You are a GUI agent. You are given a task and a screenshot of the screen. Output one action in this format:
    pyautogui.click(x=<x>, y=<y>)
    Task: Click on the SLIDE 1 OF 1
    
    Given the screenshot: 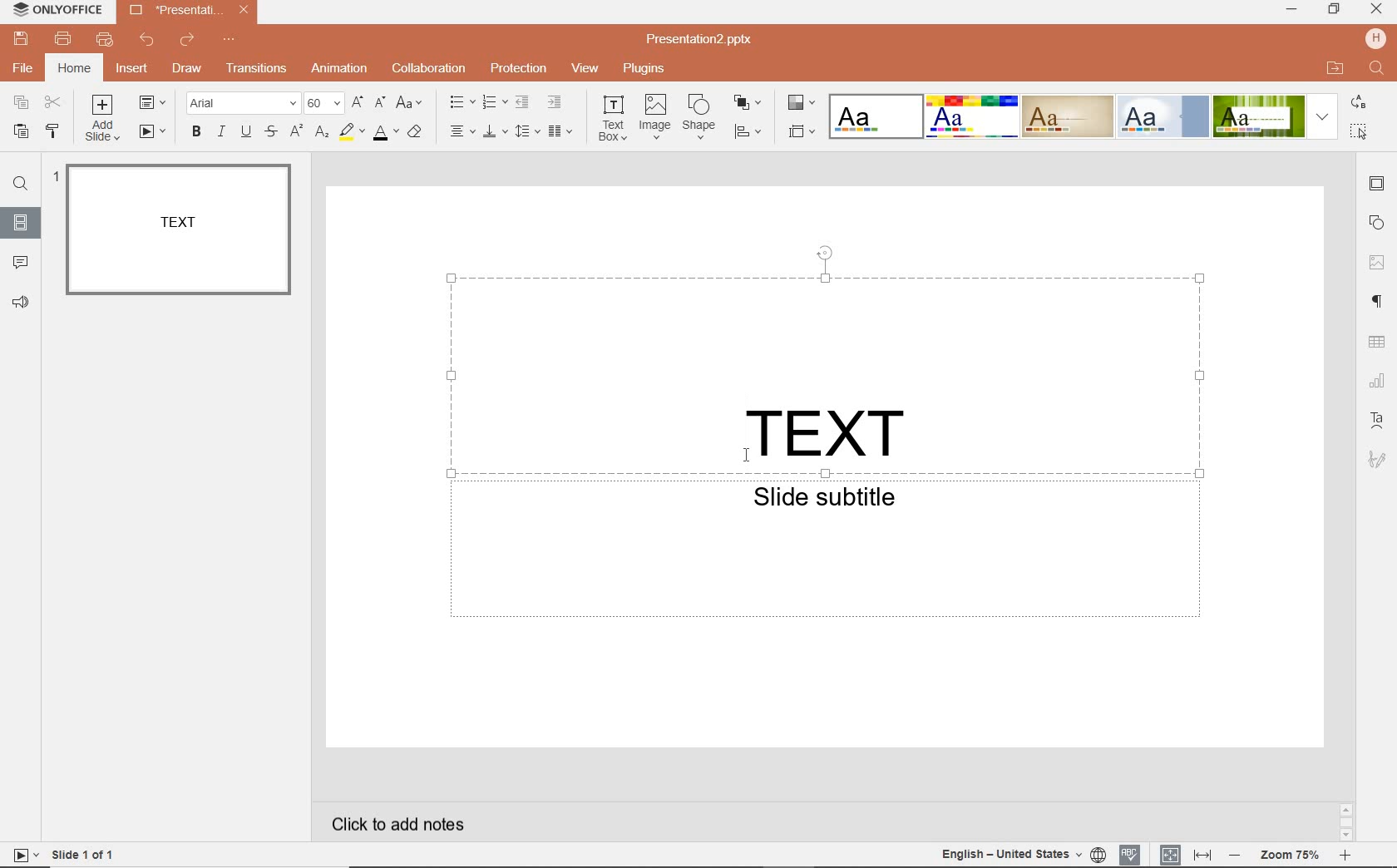 What is the action you would take?
    pyautogui.click(x=83, y=853)
    